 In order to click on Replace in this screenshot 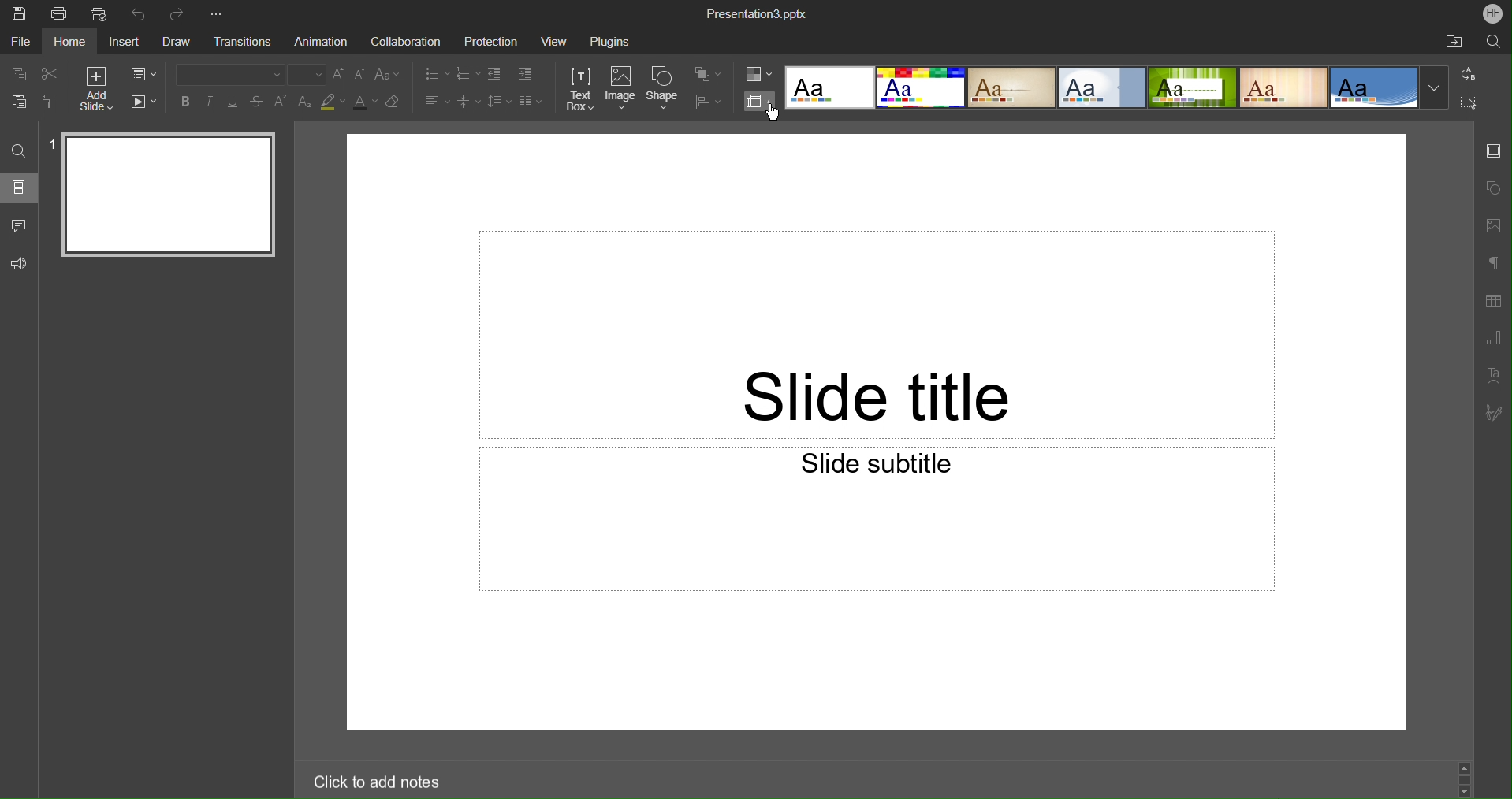, I will do `click(1469, 73)`.